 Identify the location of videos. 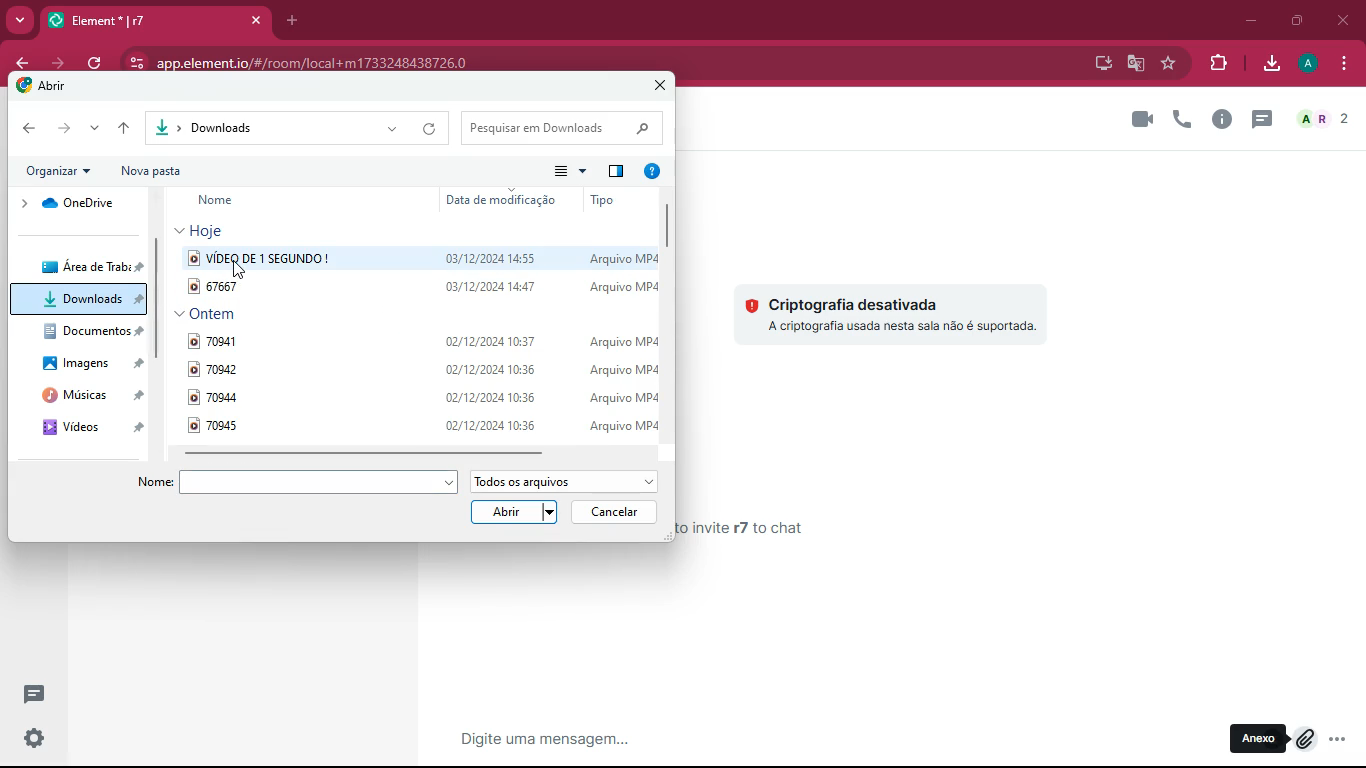
(93, 427).